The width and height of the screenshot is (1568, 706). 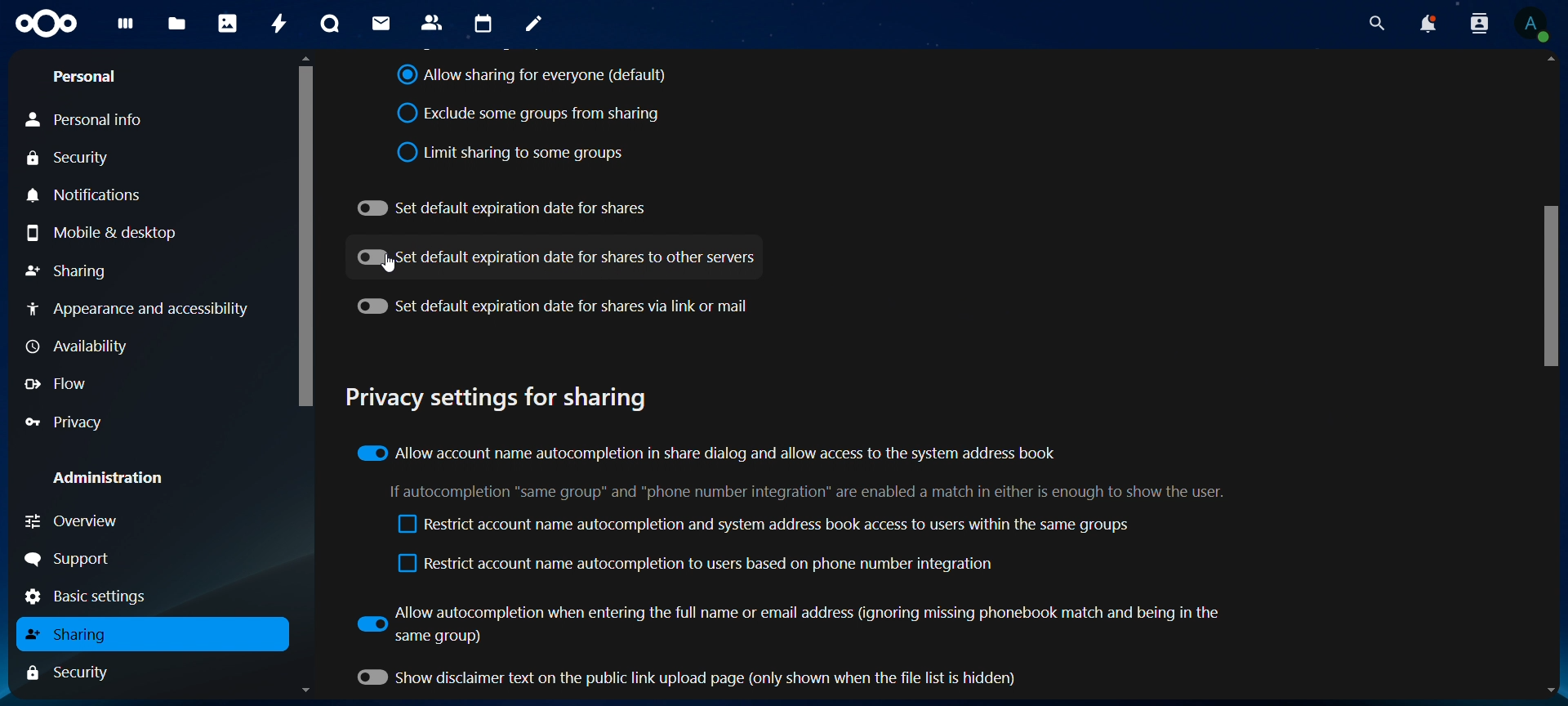 What do you see at coordinates (482, 25) in the screenshot?
I see `calendar` at bounding box center [482, 25].